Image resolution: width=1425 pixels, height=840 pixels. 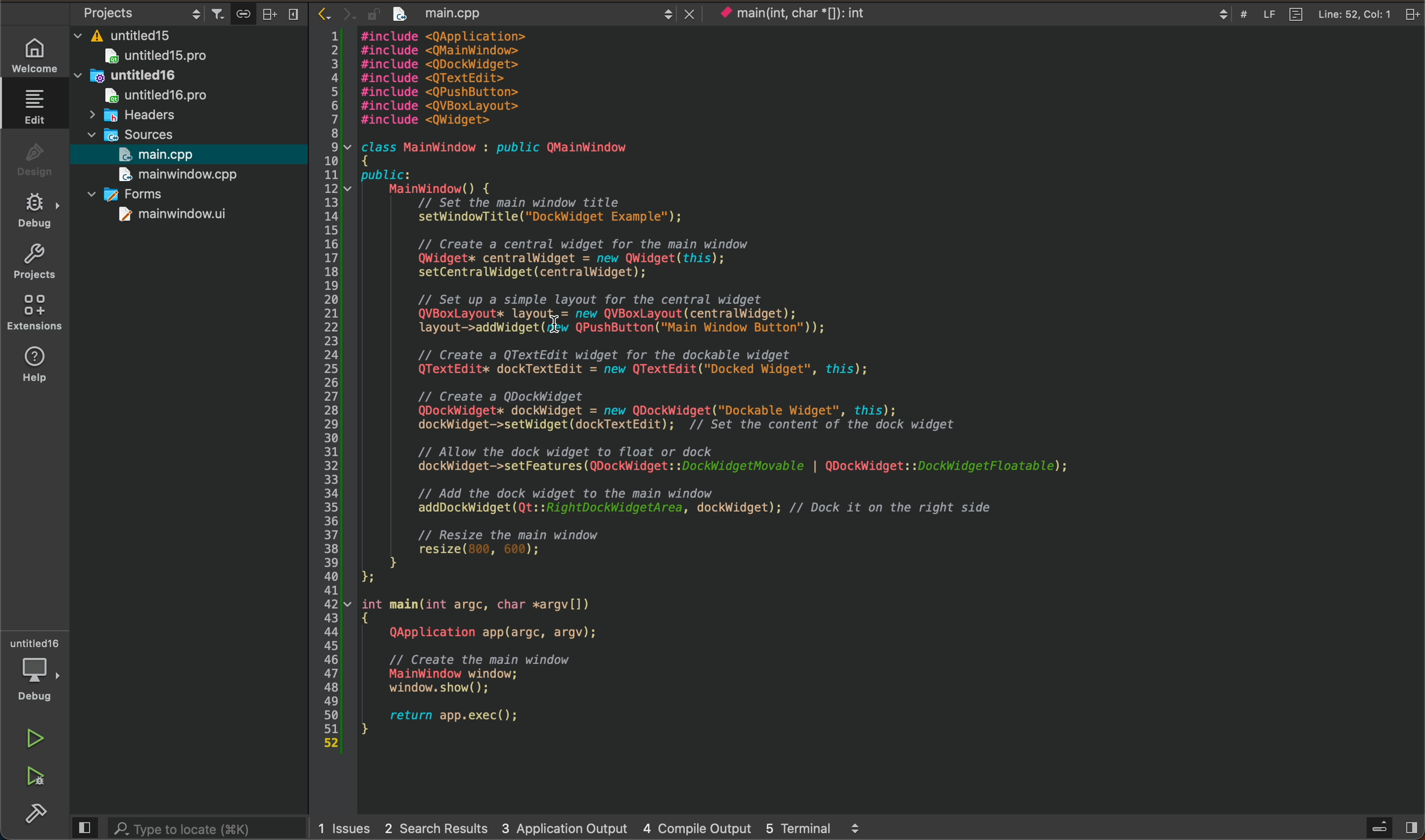 I want to click on forms, so click(x=136, y=194).